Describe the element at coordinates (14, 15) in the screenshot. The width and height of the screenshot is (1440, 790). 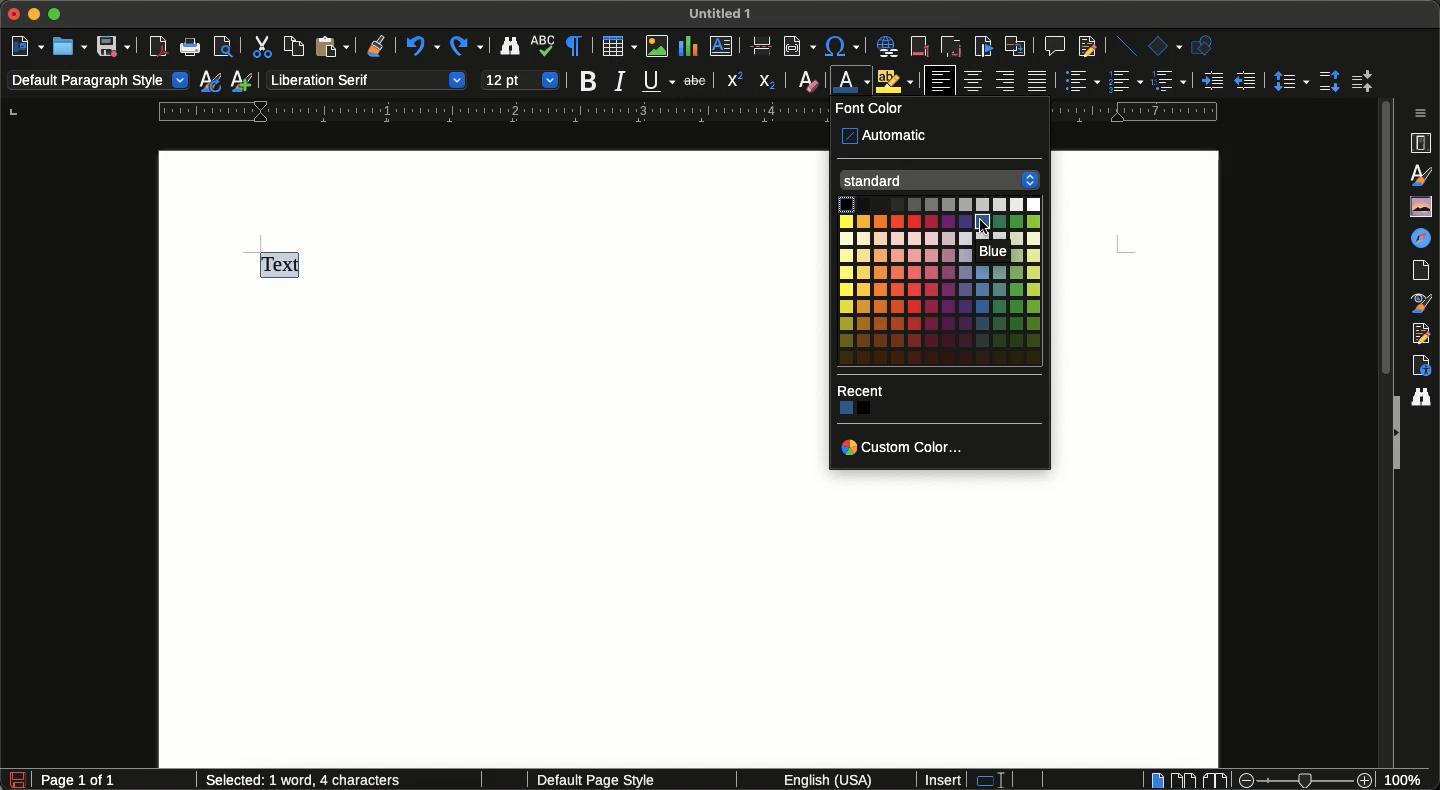
I see `Close` at that location.